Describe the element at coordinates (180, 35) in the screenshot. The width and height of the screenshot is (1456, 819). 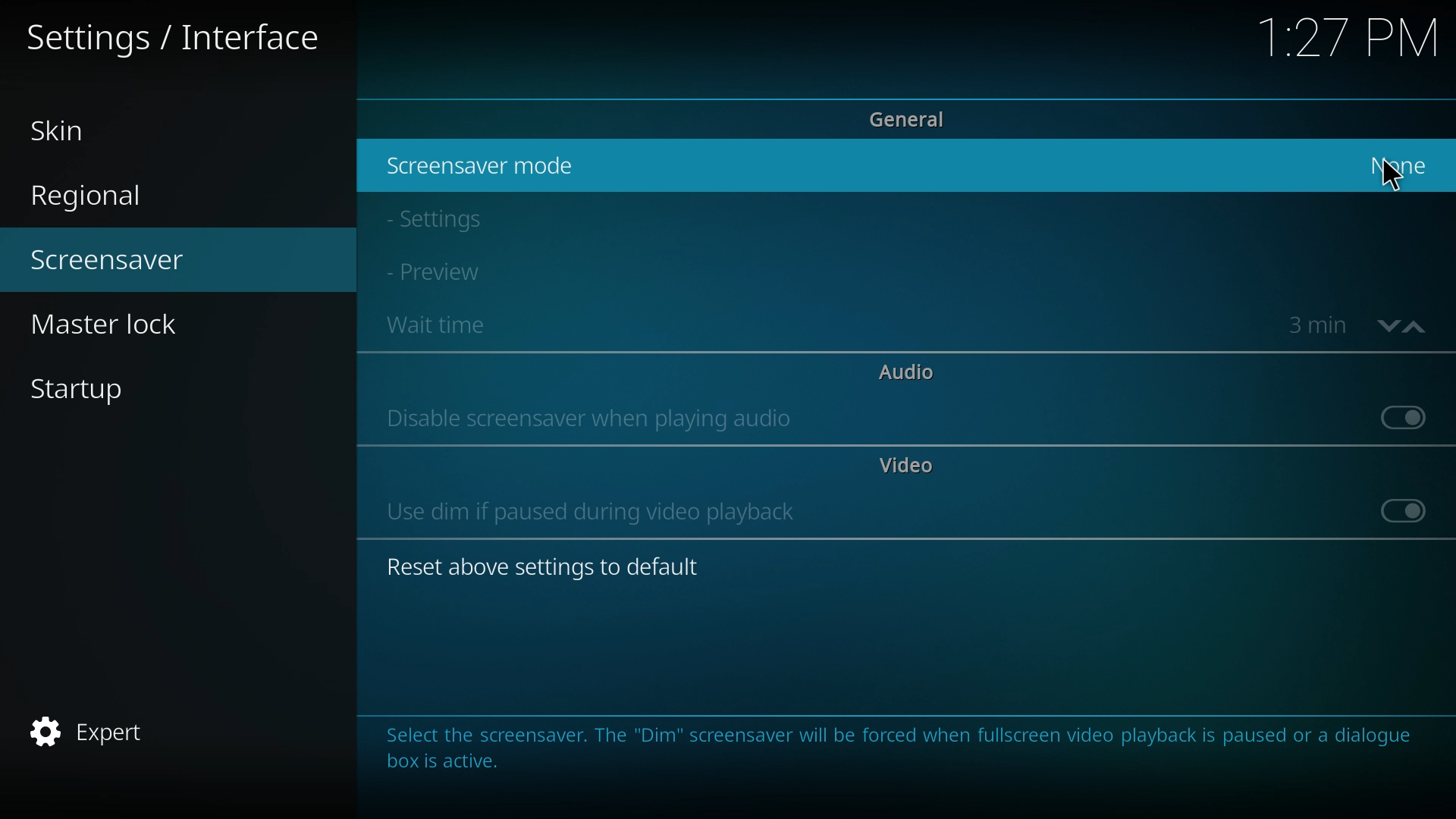
I see `settings/interface` at that location.